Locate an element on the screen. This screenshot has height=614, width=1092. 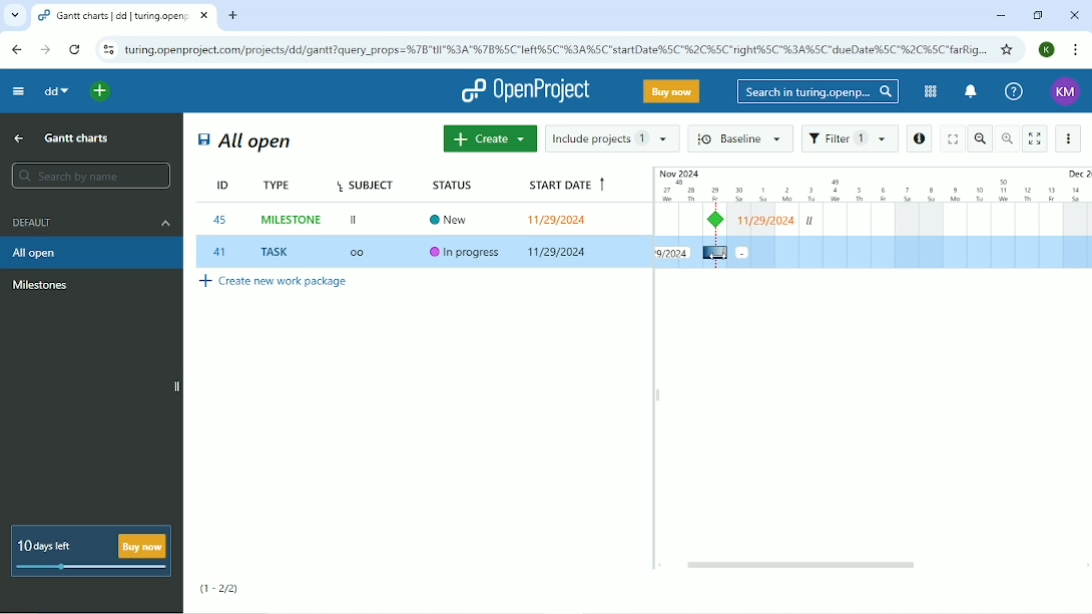
Modules is located at coordinates (929, 91).